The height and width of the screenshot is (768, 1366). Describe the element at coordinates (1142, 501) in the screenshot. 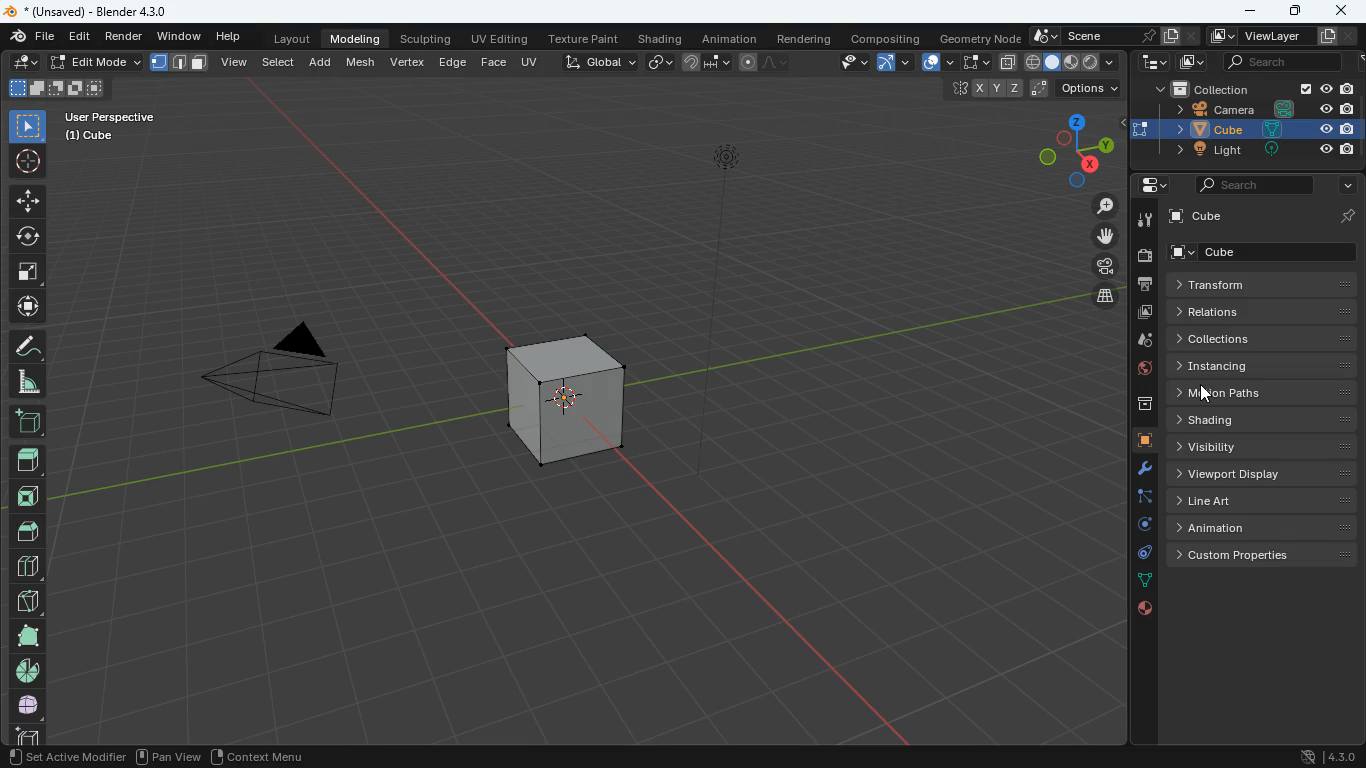

I see `edge` at that location.